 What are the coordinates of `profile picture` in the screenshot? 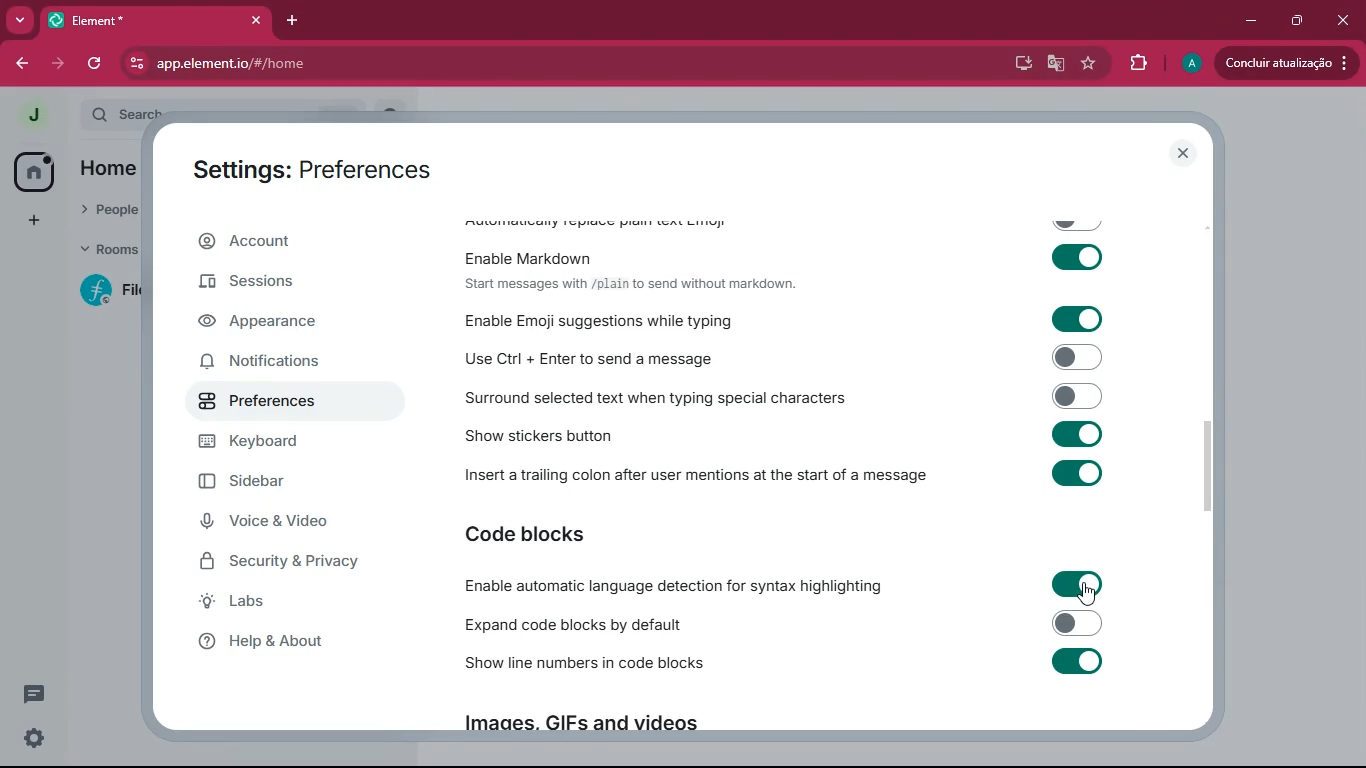 It's located at (27, 114).